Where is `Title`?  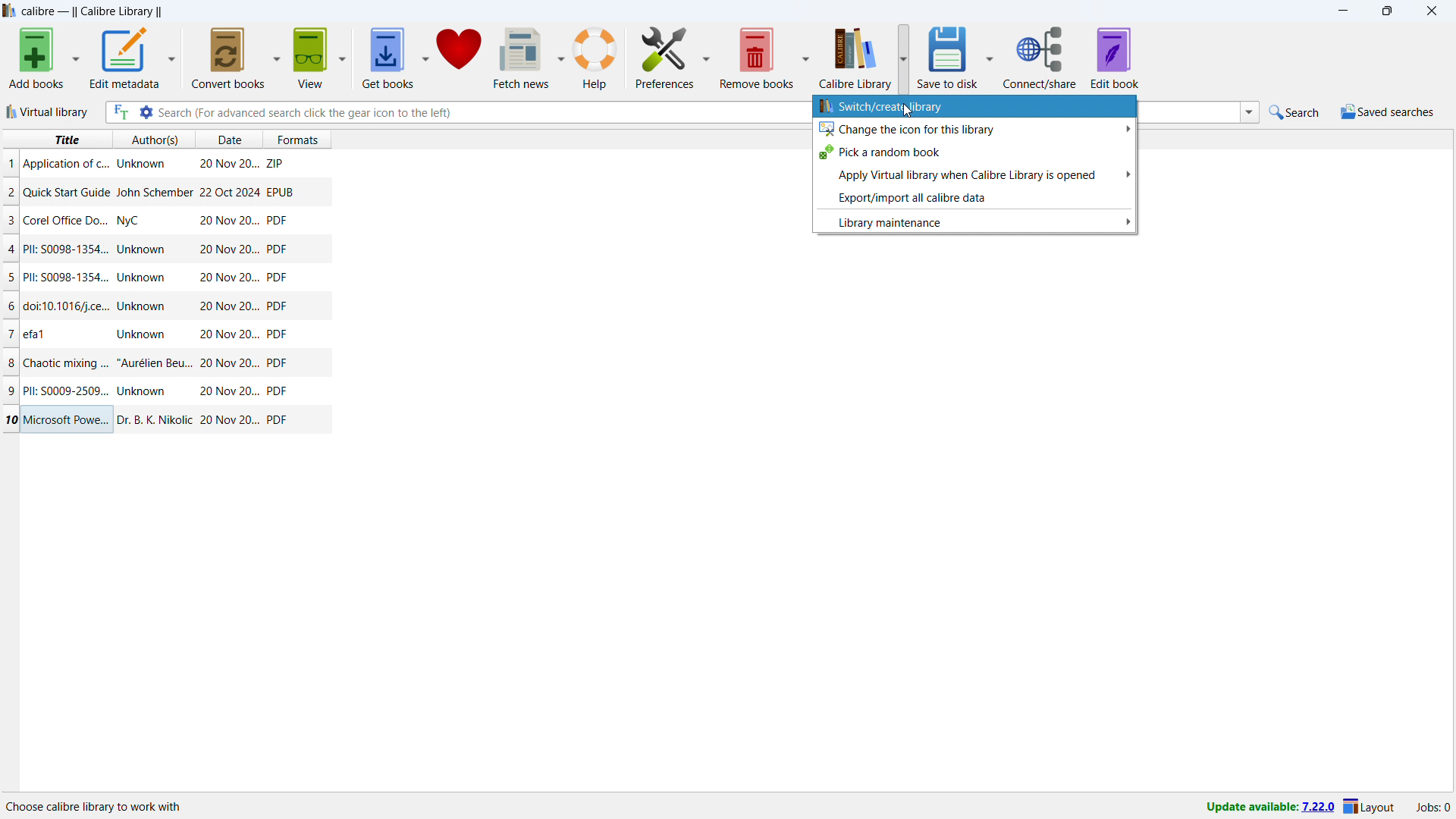
Title is located at coordinates (64, 390).